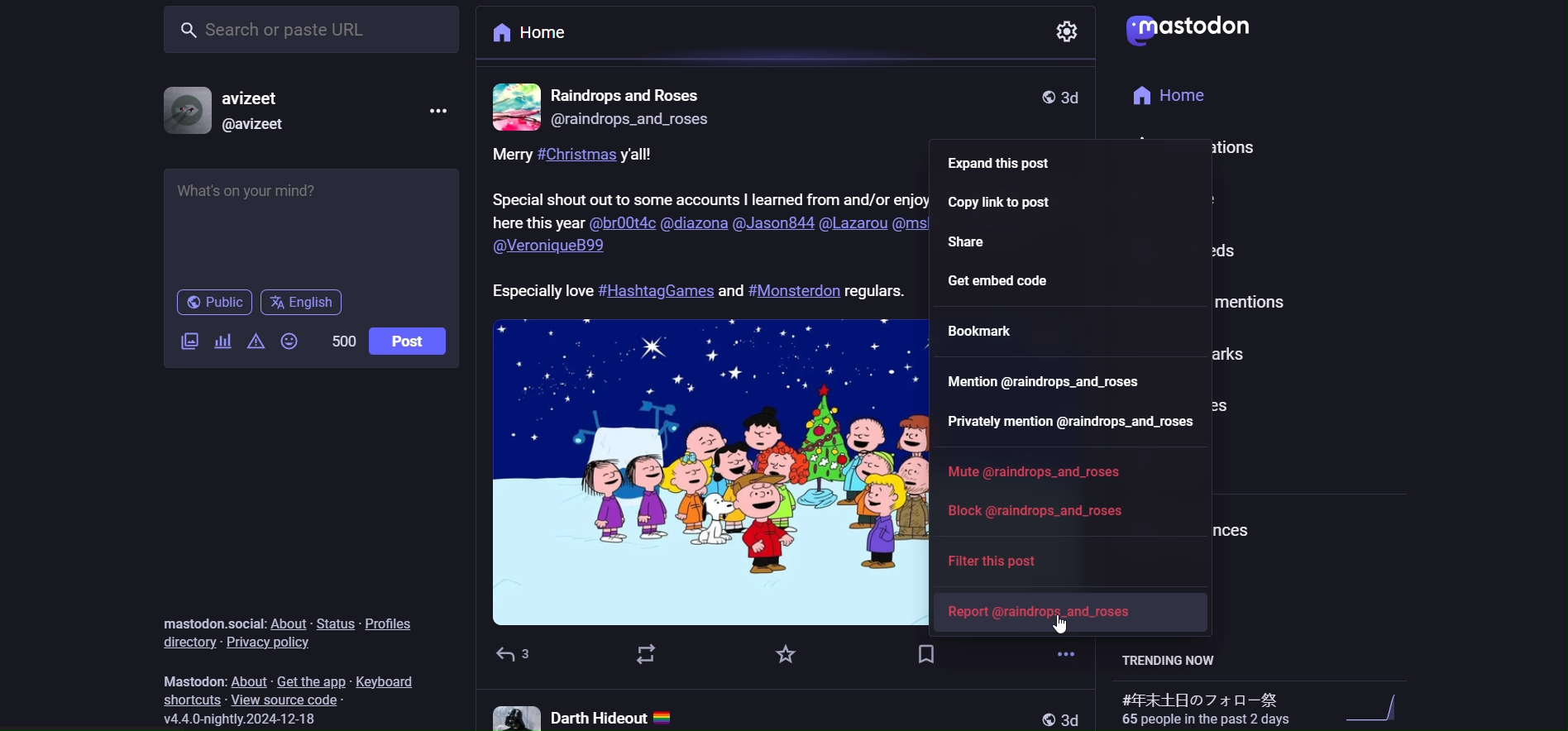 This screenshot has height=731, width=1568. Describe the element at coordinates (308, 219) in the screenshot. I see `post here` at that location.